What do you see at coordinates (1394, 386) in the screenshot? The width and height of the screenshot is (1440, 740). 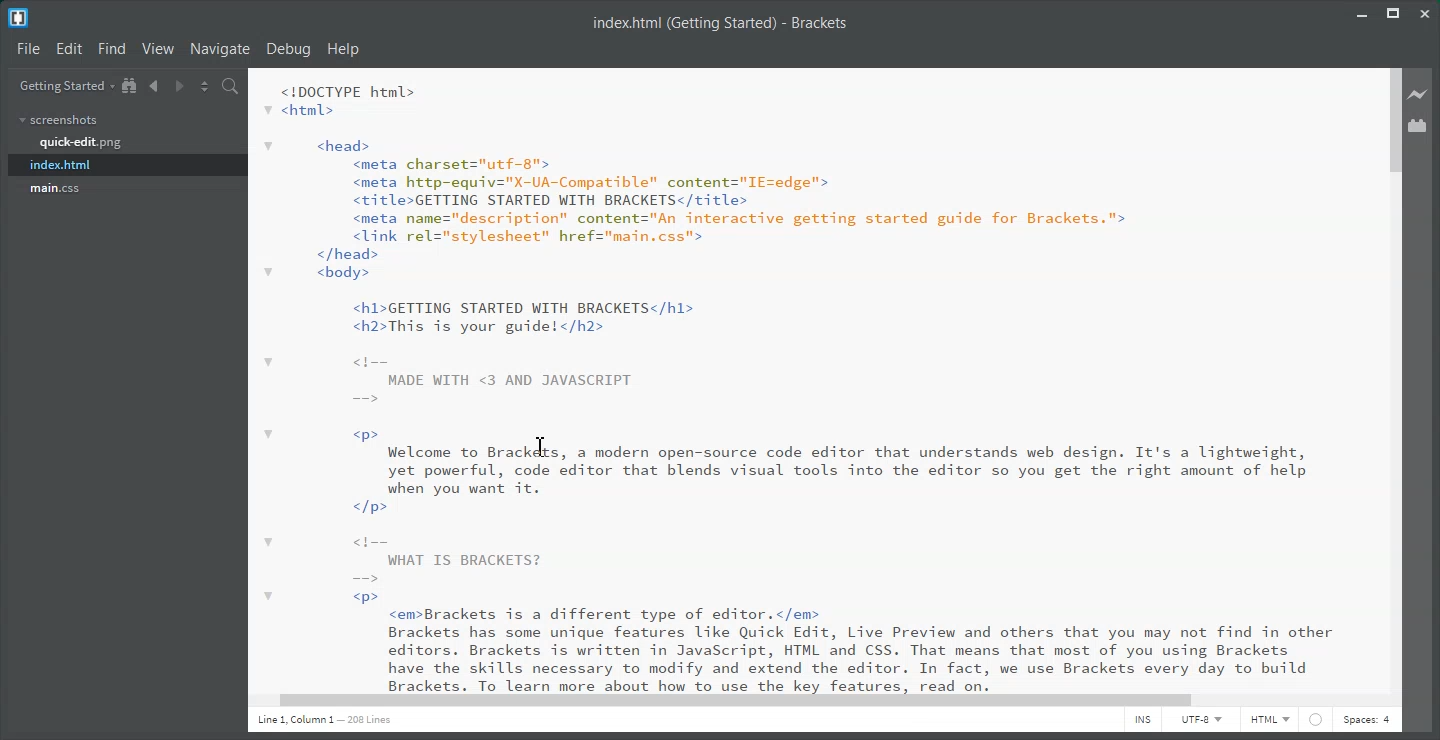 I see `Vertical Scroll Bar` at bounding box center [1394, 386].